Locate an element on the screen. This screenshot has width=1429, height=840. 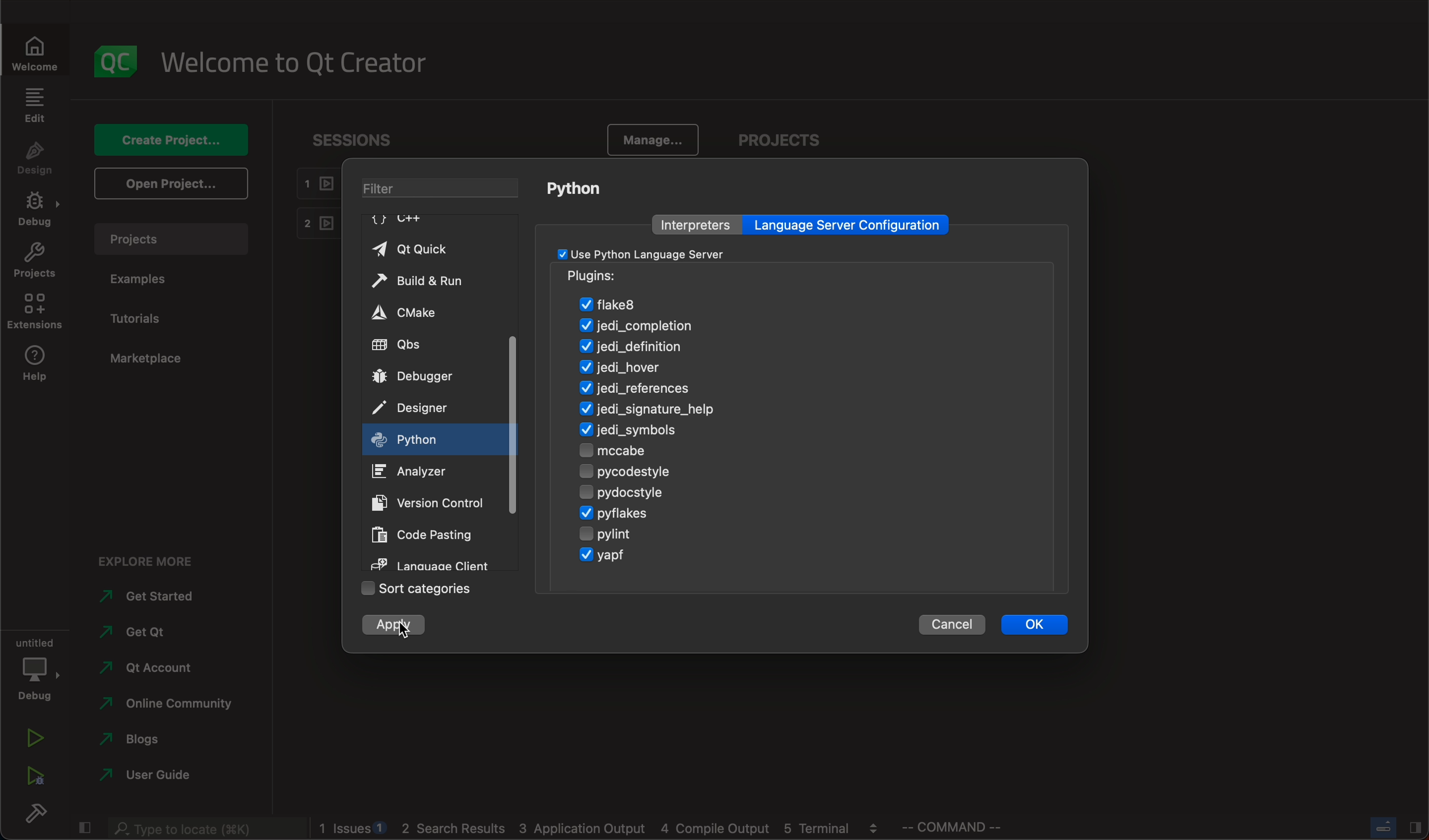
checkbox is located at coordinates (641, 255).